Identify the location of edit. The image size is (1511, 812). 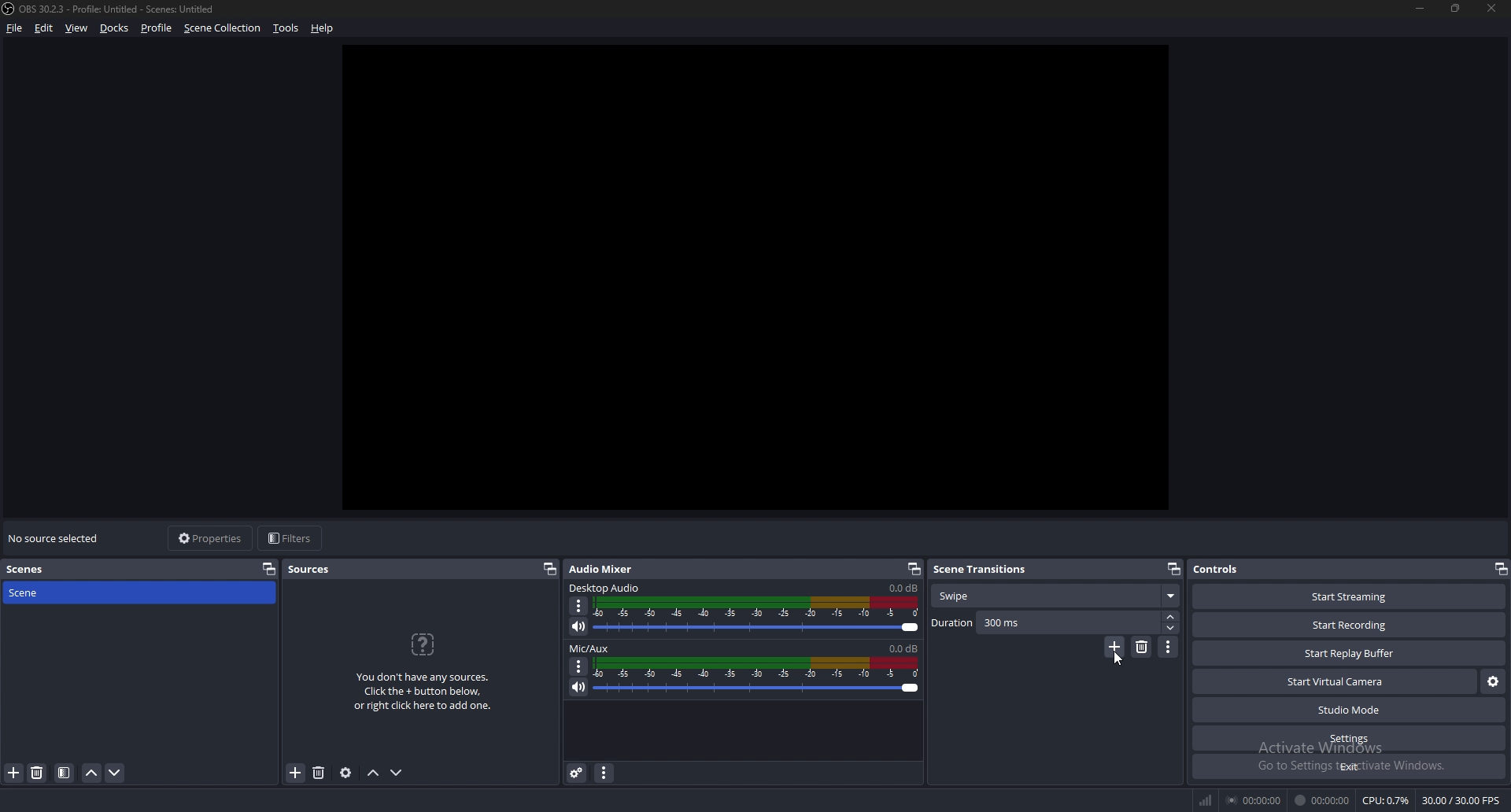
(45, 28).